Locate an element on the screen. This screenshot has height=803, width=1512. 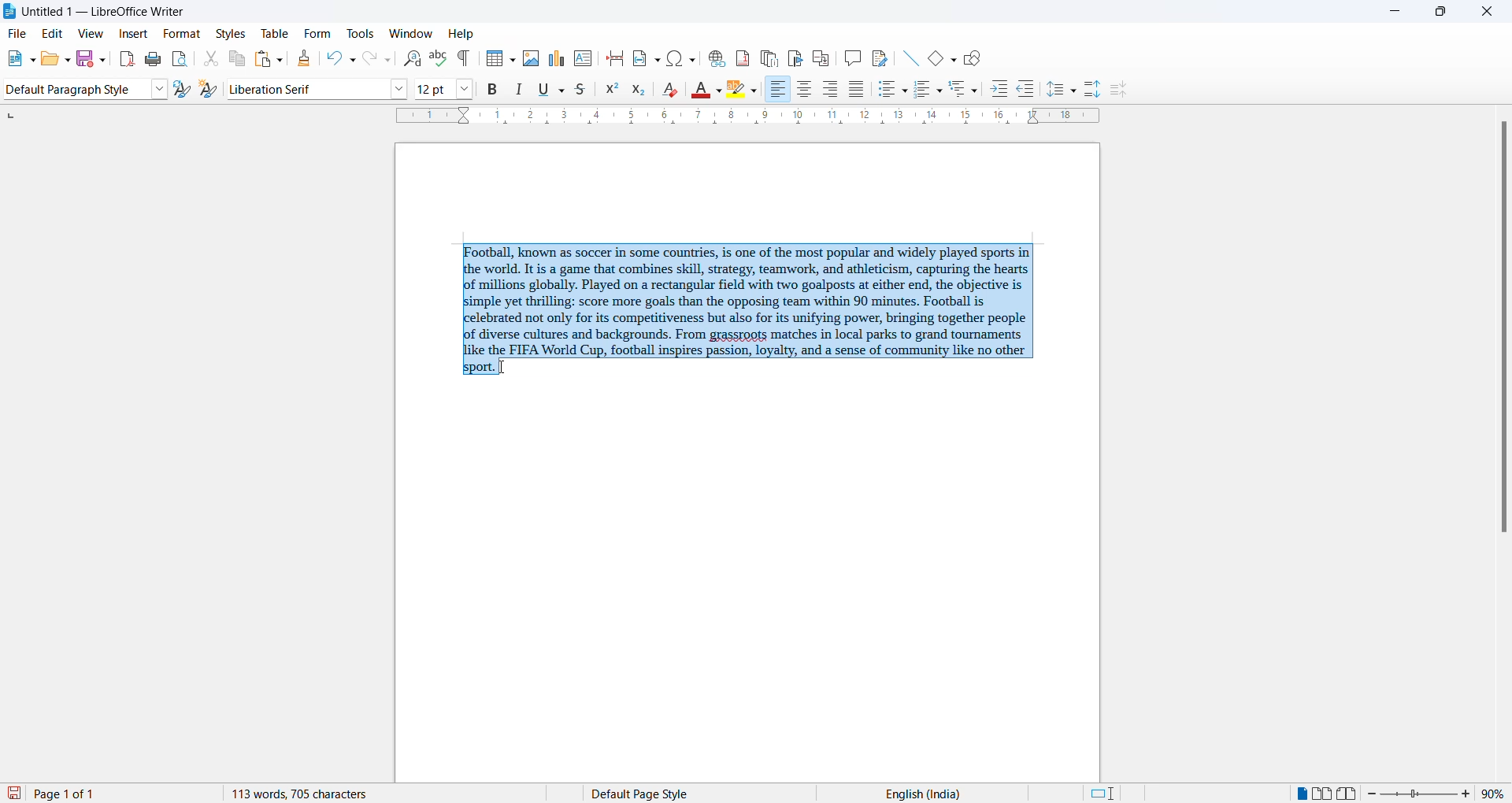
minimize is located at coordinates (1388, 12).